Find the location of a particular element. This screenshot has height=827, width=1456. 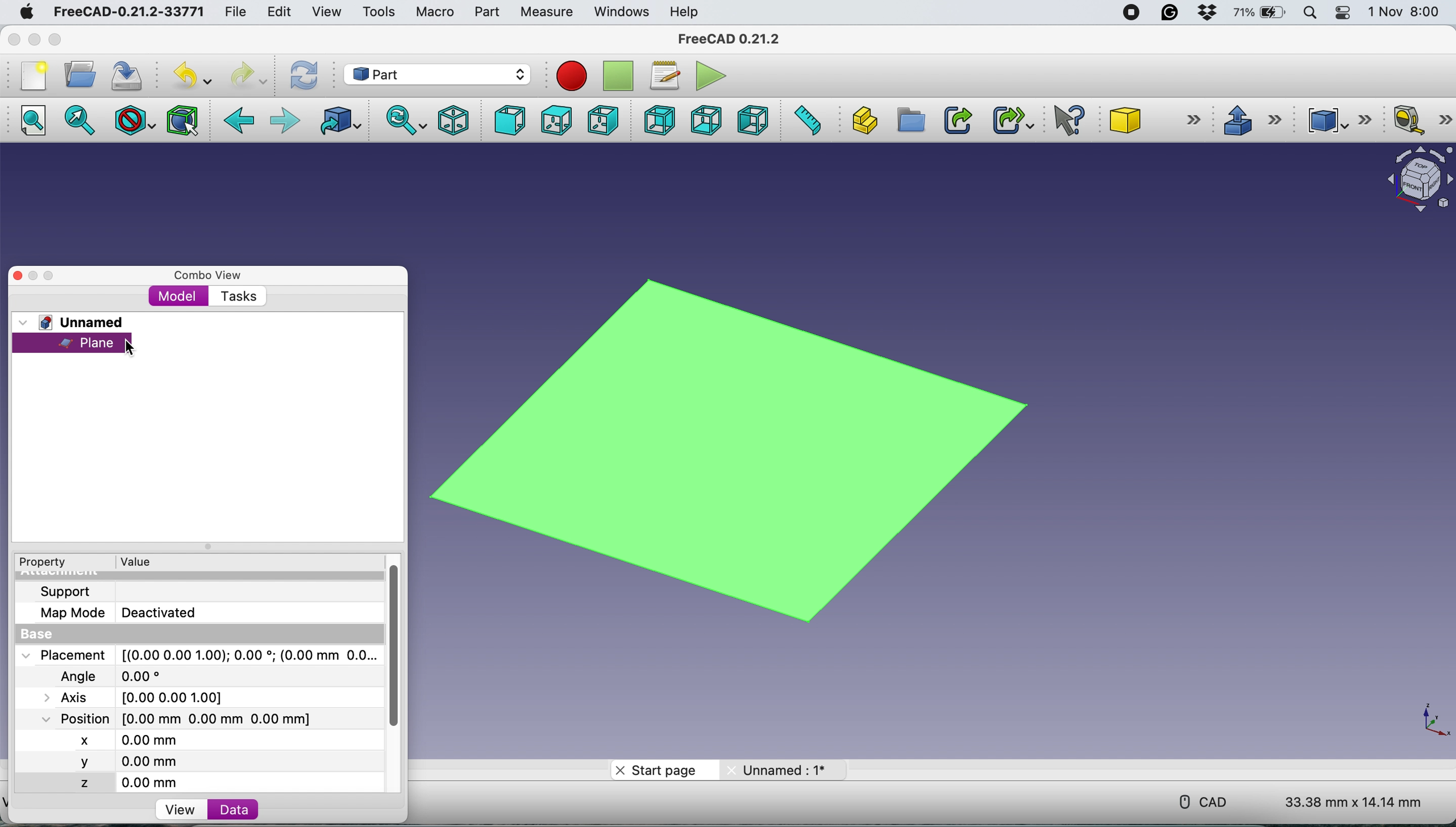

measure distance is located at coordinates (806, 121).